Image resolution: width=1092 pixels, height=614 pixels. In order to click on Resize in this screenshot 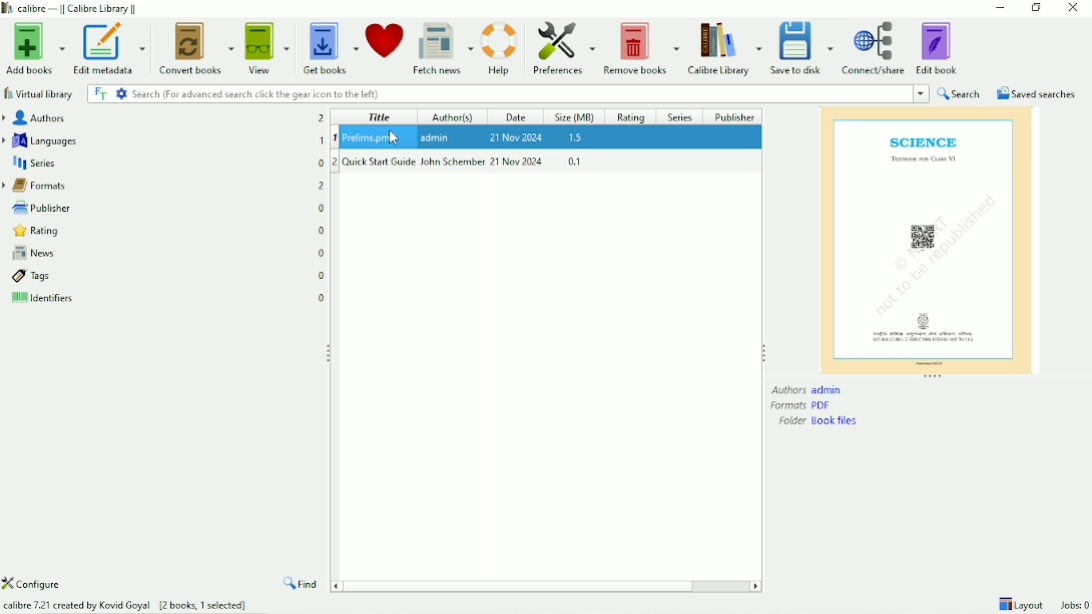, I will do `click(764, 352)`.